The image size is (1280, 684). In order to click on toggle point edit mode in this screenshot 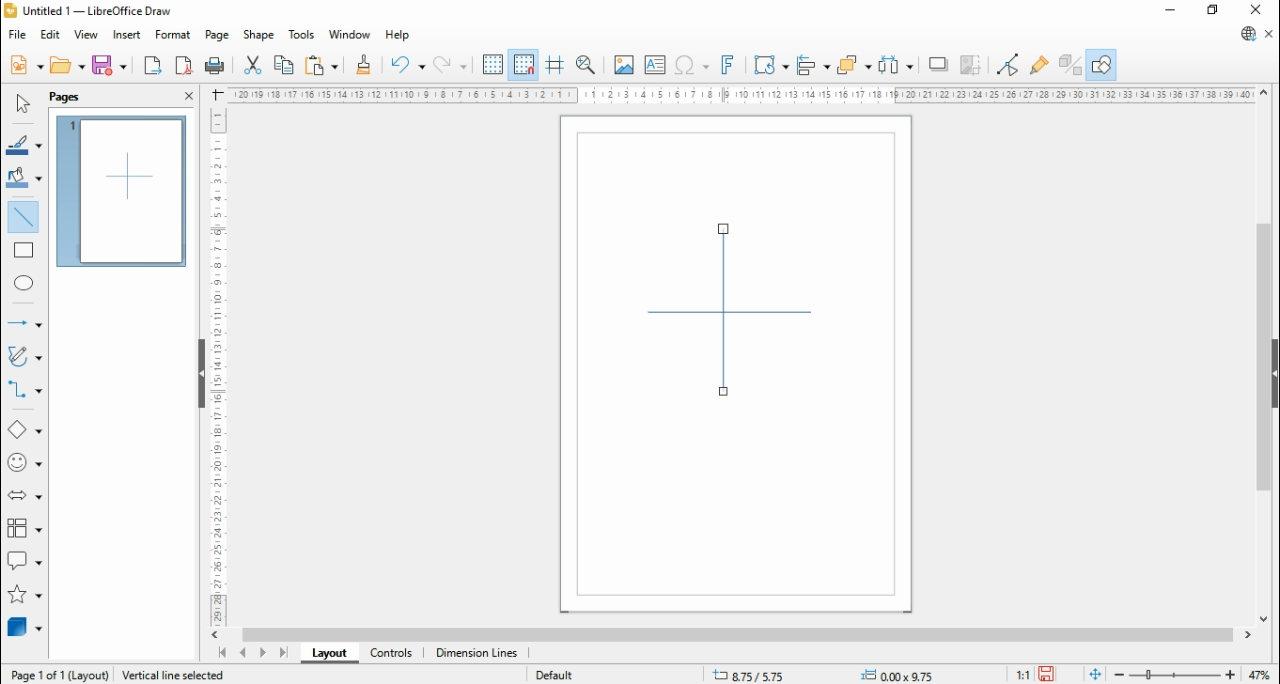, I will do `click(1008, 63)`.